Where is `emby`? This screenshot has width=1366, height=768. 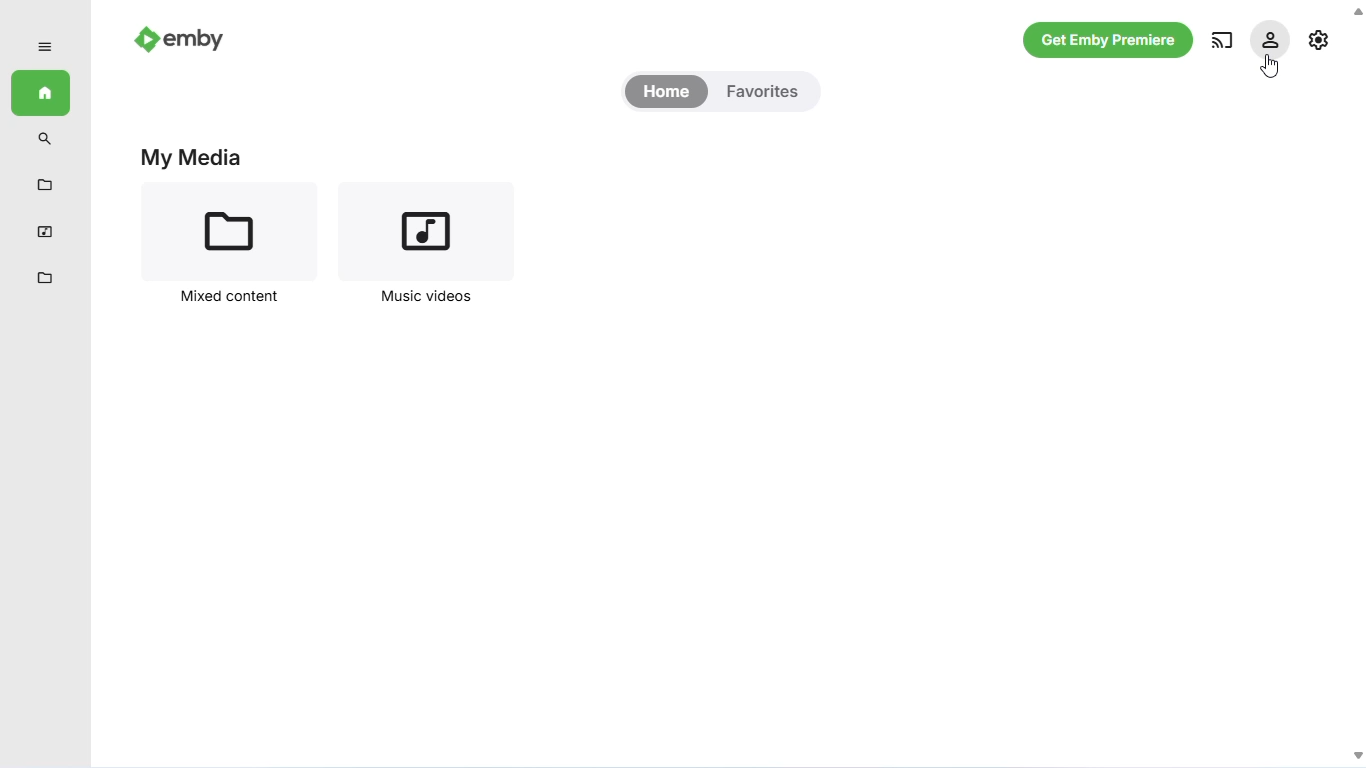
emby is located at coordinates (180, 37).